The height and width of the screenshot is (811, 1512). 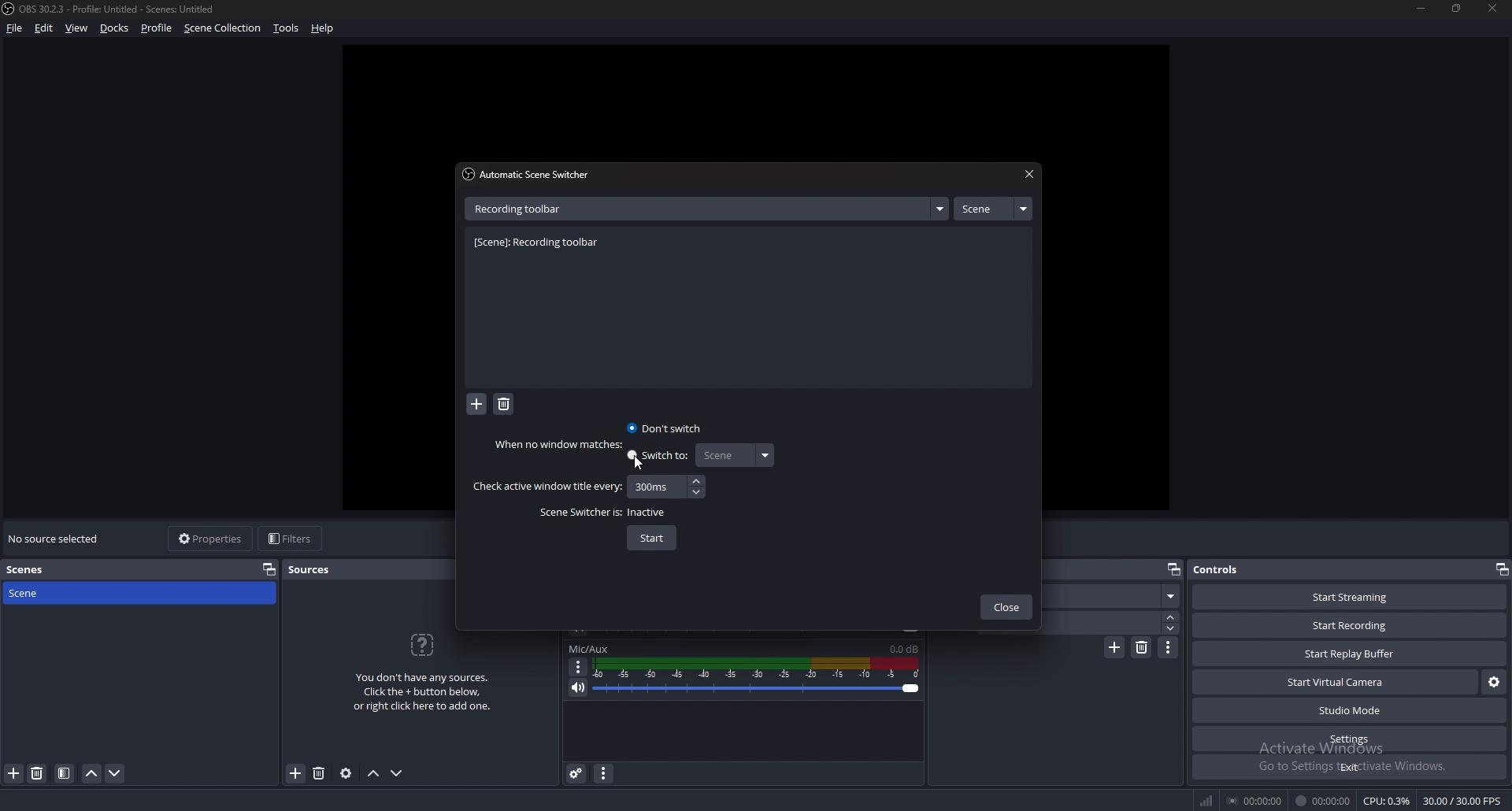 What do you see at coordinates (579, 667) in the screenshot?
I see `options` at bounding box center [579, 667].